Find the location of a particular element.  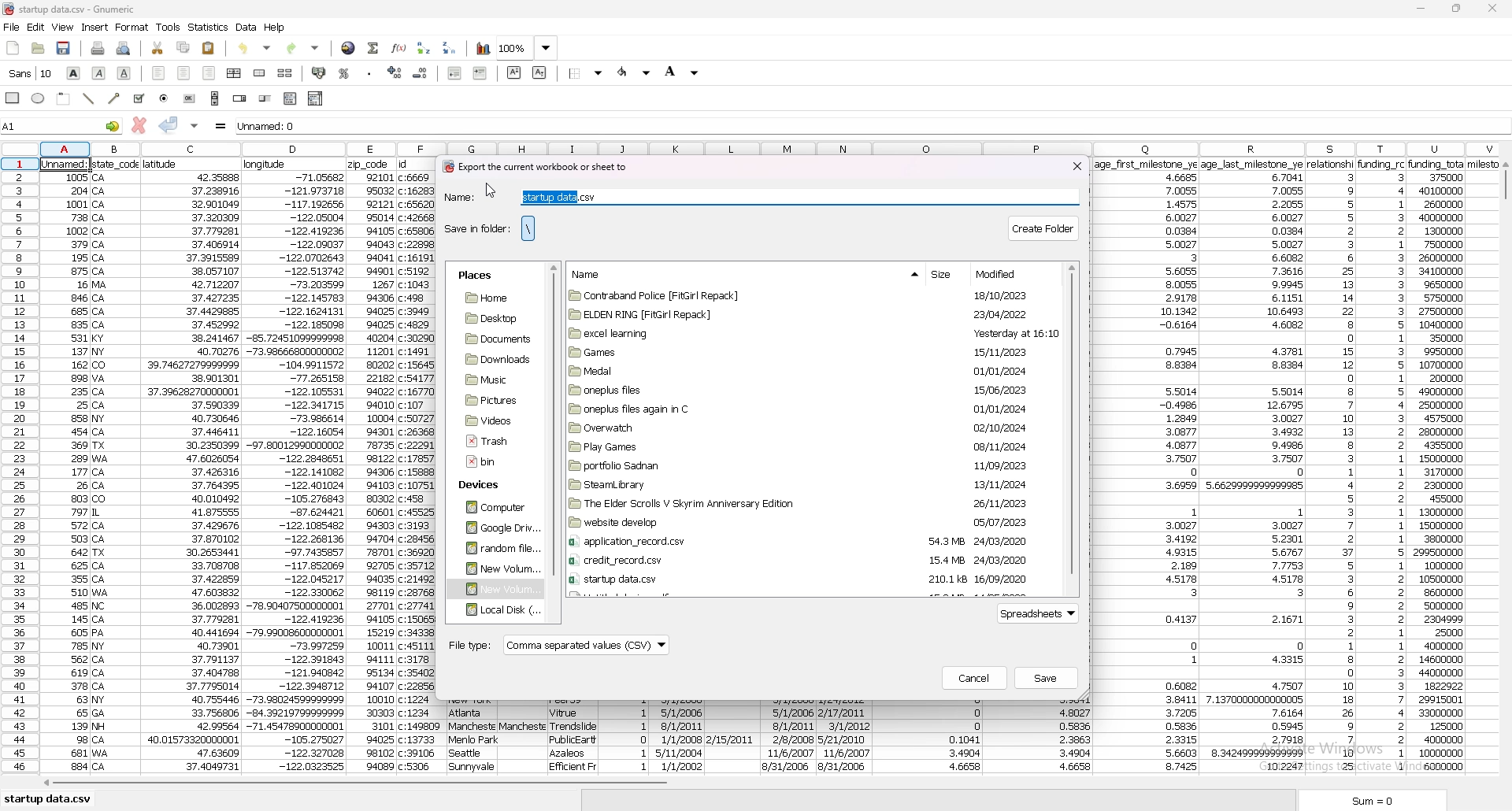

sort ascending is located at coordinates (424, 48).